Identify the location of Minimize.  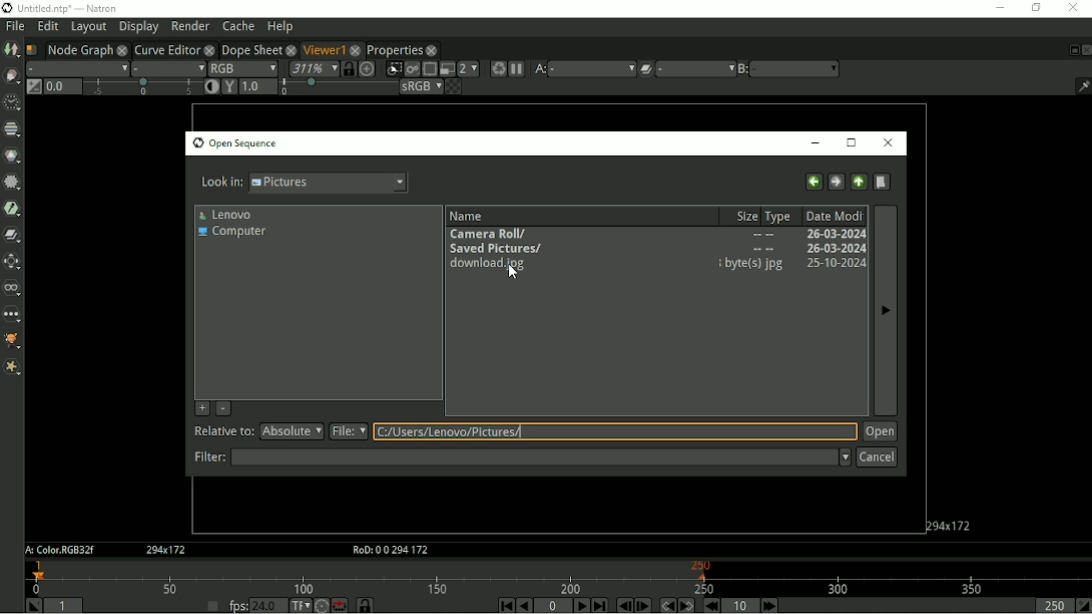
(814, 142).